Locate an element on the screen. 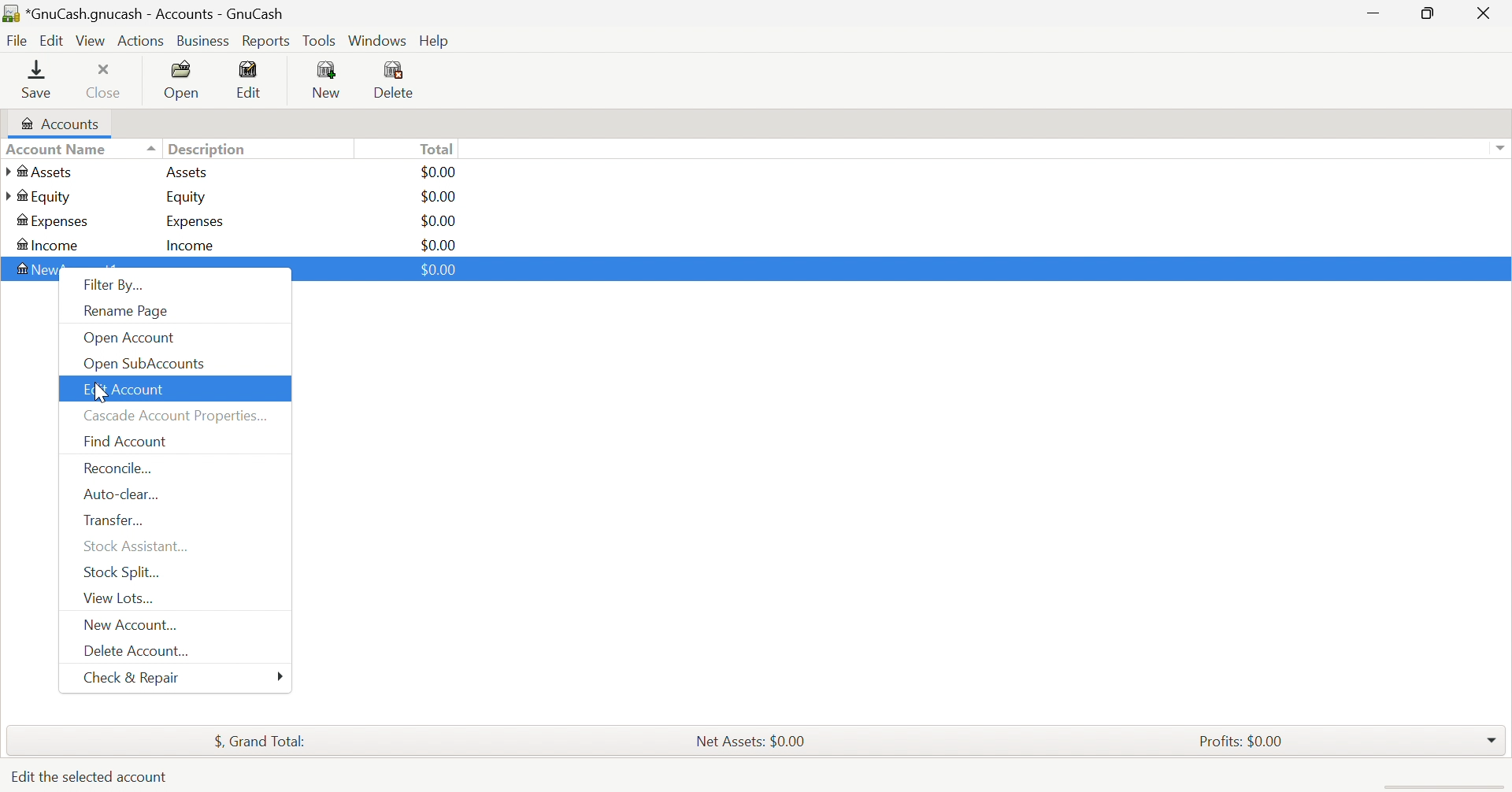 Image resolution: width=1512 pixels, height=792 pixels. Close is located at coordinates (1486, 13).